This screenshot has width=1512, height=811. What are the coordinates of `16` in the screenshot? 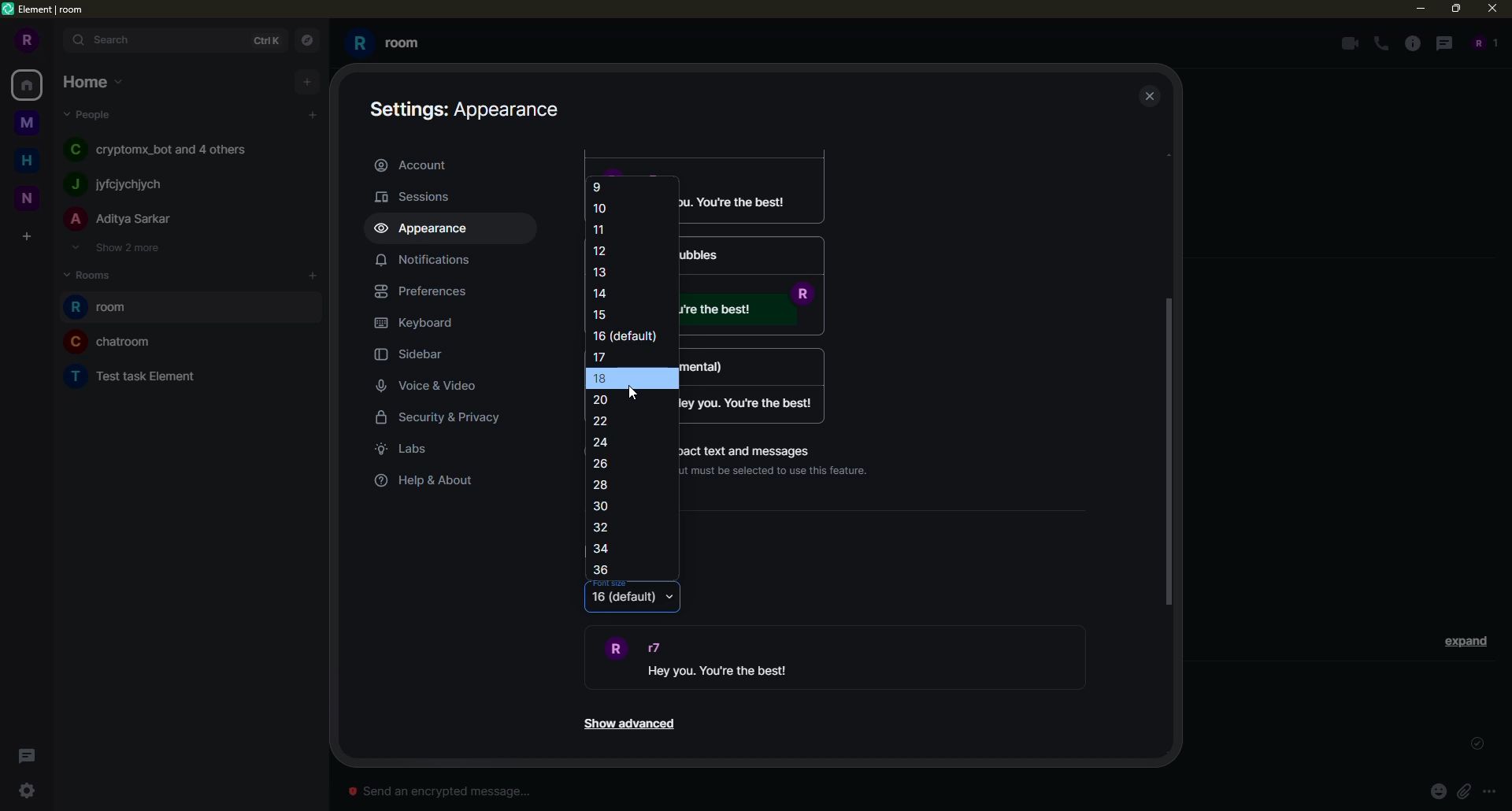 It's located at (628, 336).